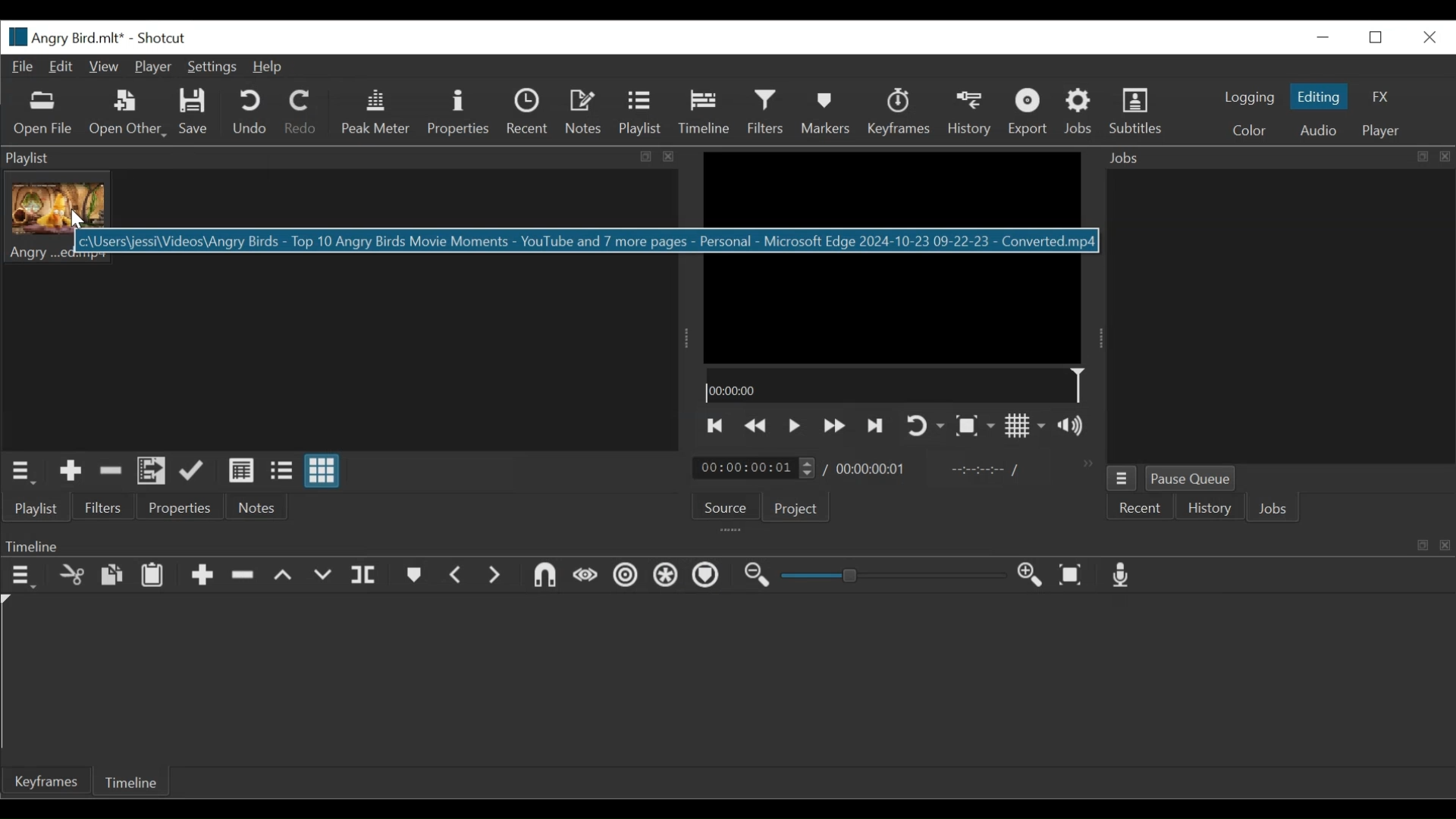 This screenshot has height=819, width=1456. What do you see at coordinates (1276, 511) in the screenshot?
I see `Jobs` at bounding box center [1276, 511].